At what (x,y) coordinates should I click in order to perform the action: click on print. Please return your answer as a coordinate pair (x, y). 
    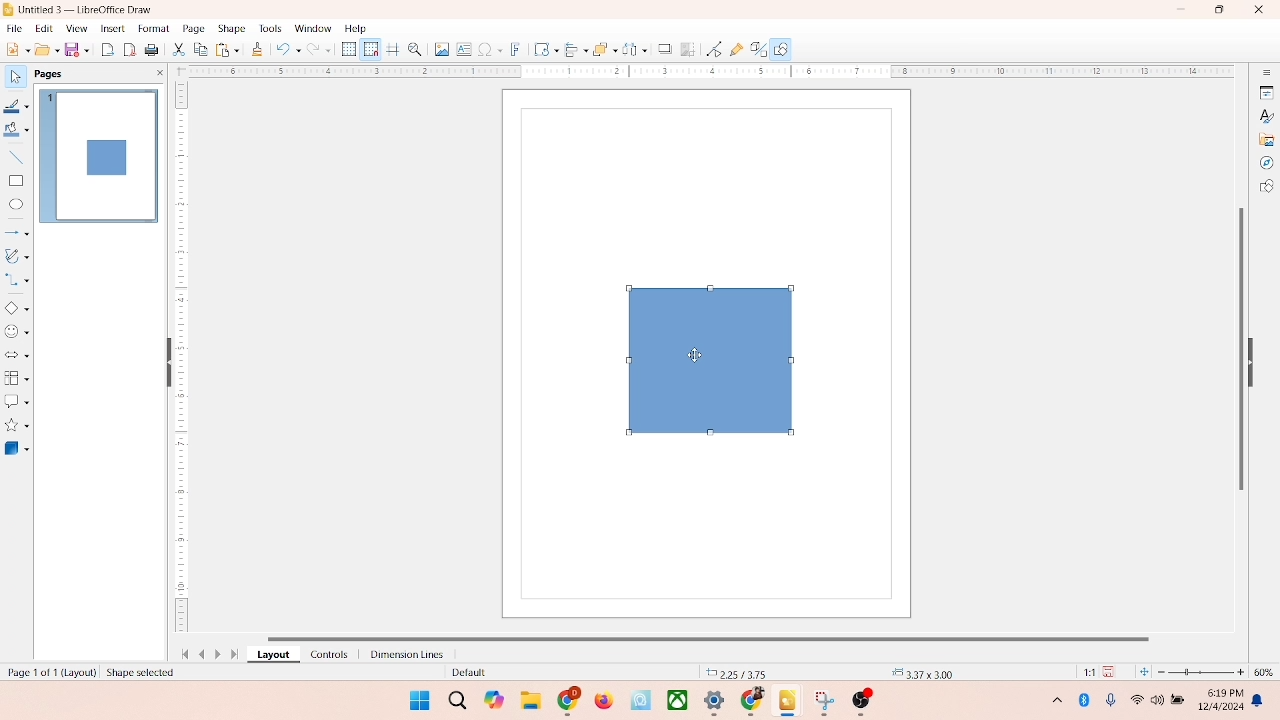
    Looking at the image, I should click on (226, 49).